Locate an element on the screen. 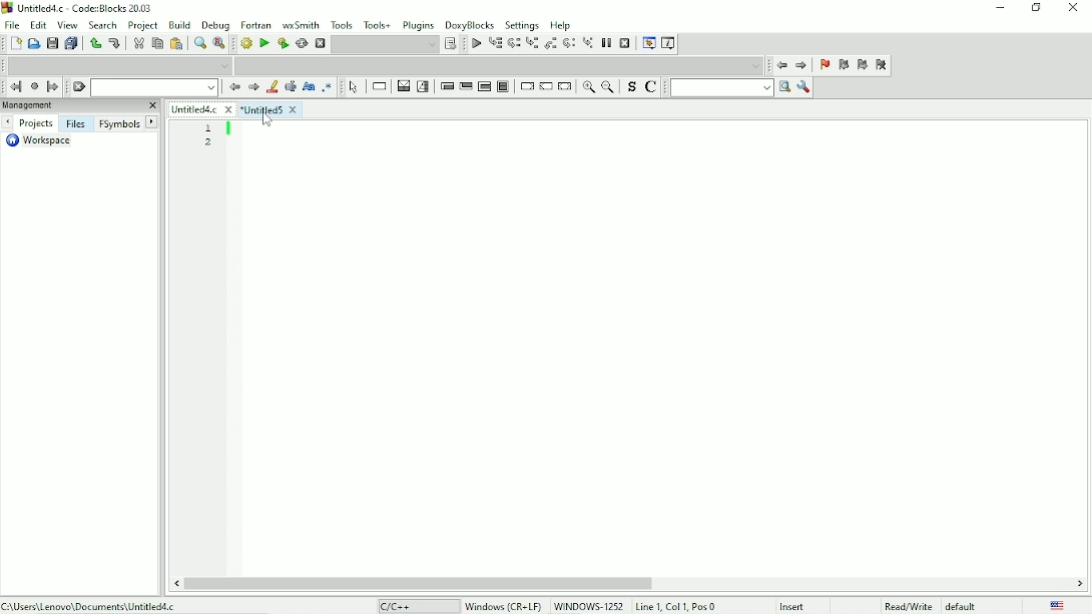 This screenshot has width=1092, height=614. Open is located at coordinates (33, 43).